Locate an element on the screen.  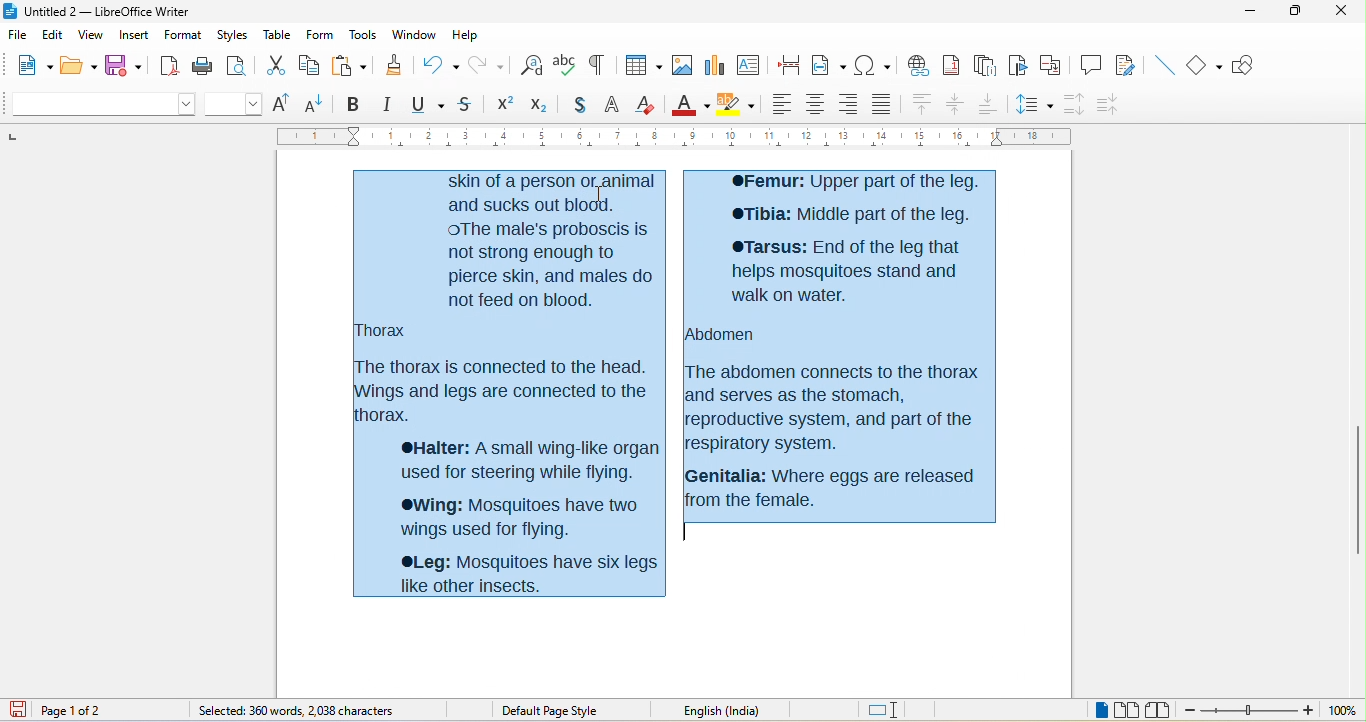
cursor is located at coordinates (82, 510).